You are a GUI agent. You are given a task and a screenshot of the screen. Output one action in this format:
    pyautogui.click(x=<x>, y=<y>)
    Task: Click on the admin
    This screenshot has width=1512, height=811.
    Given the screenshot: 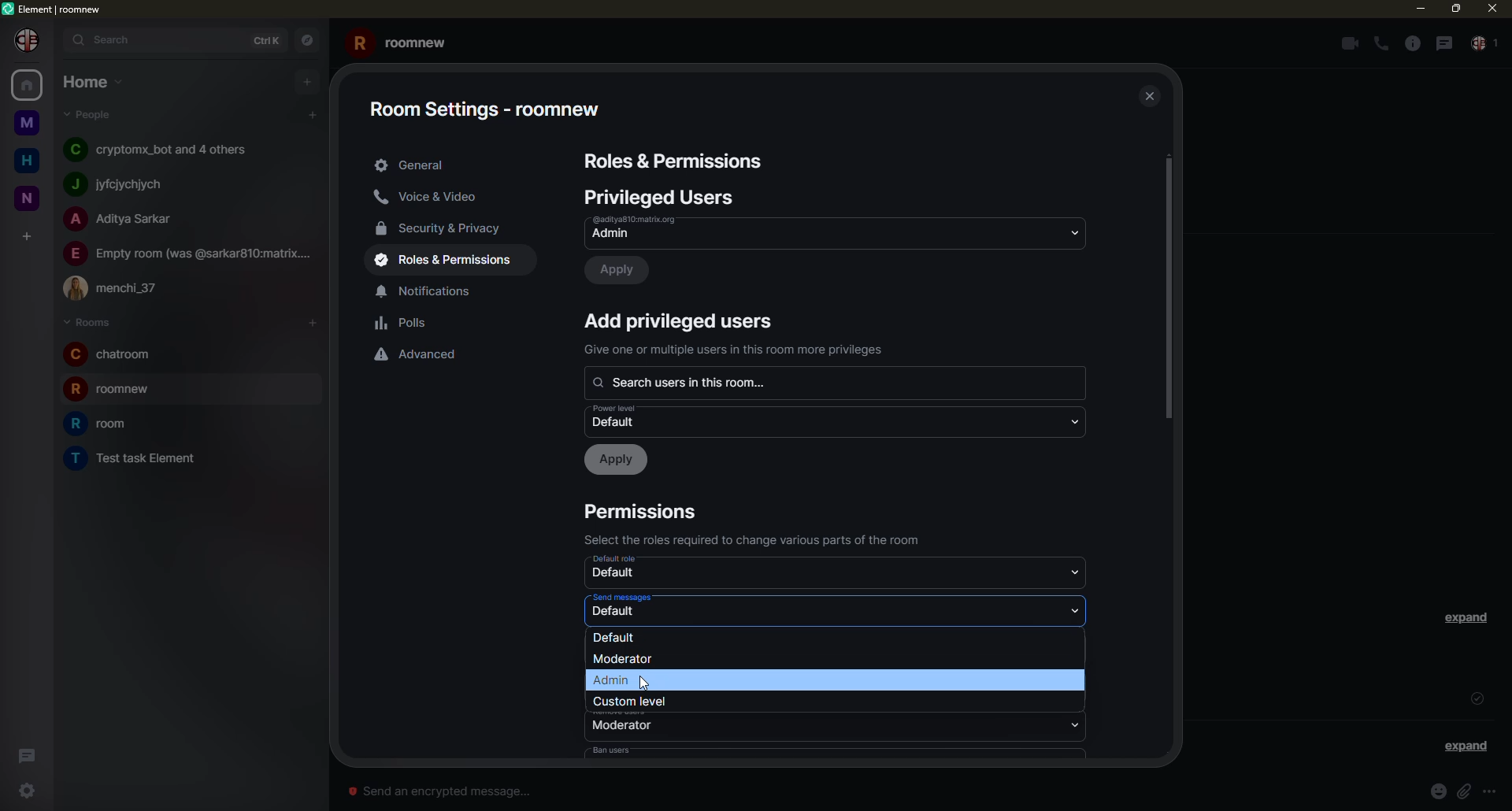 What is the action you would take?
    pyautogui.click(x=614, y=680)
    